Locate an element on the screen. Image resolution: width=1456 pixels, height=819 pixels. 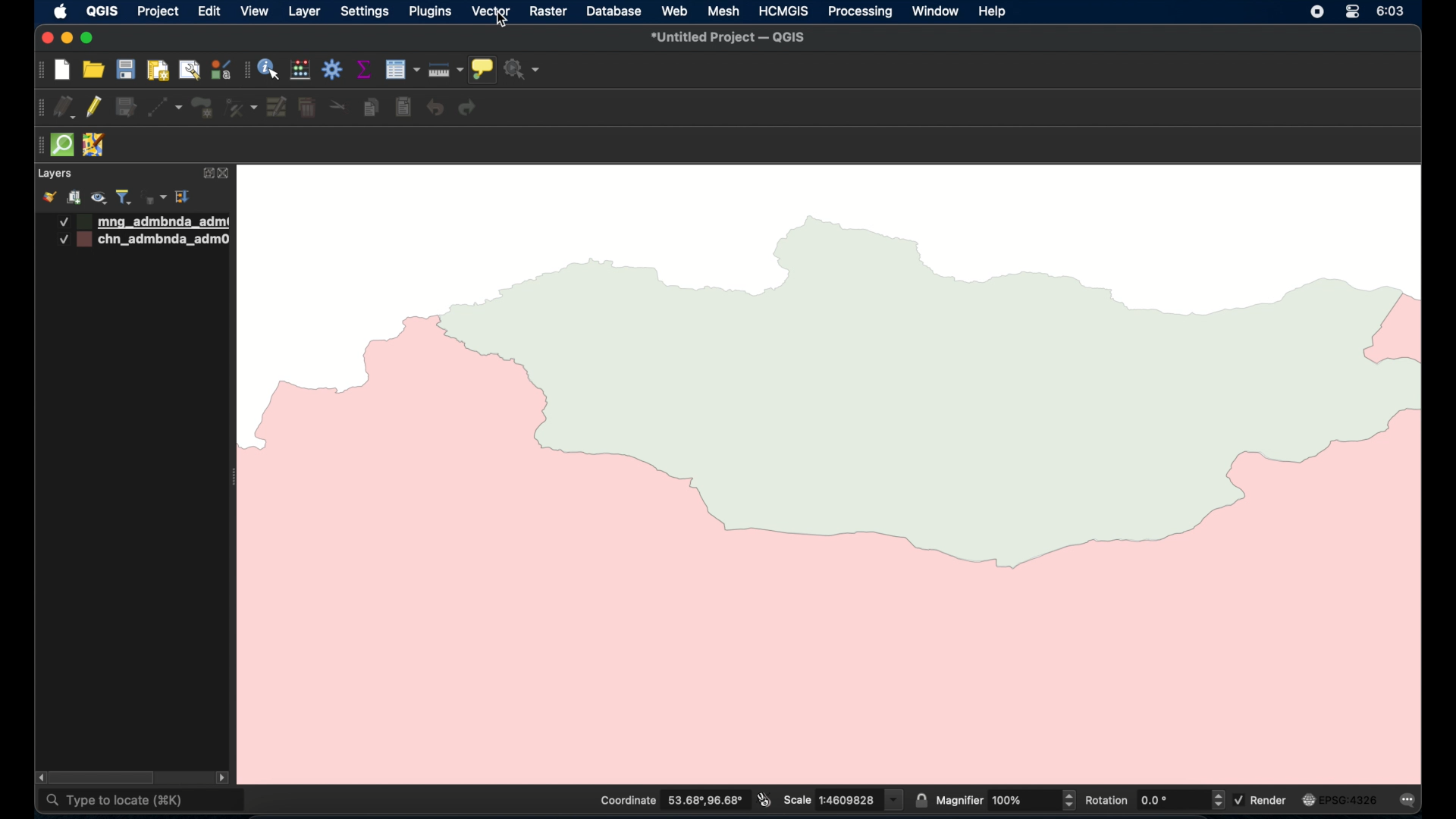
web is located at coordinates (676, 11).